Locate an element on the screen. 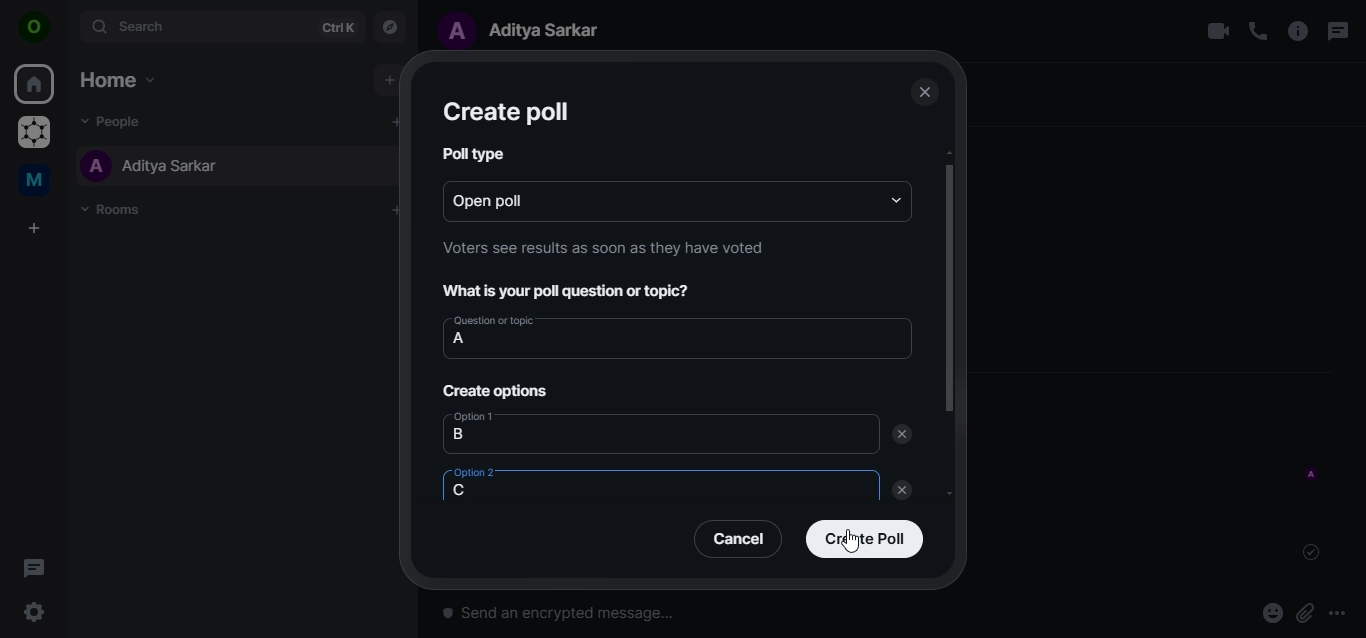  view profile is located at coordinates (35, 29).